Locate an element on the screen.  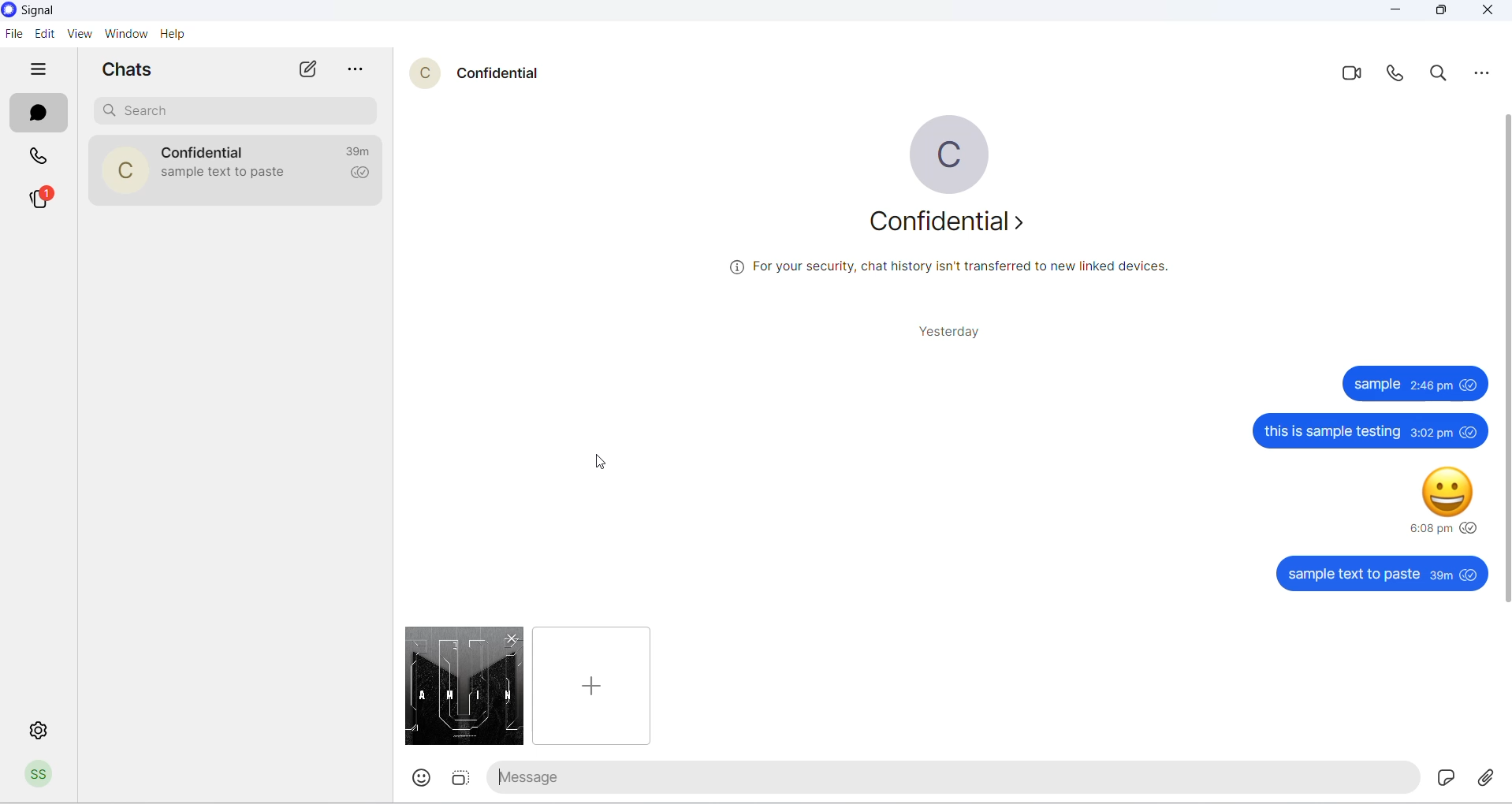
voice call is located at coordinates (1398, 77).